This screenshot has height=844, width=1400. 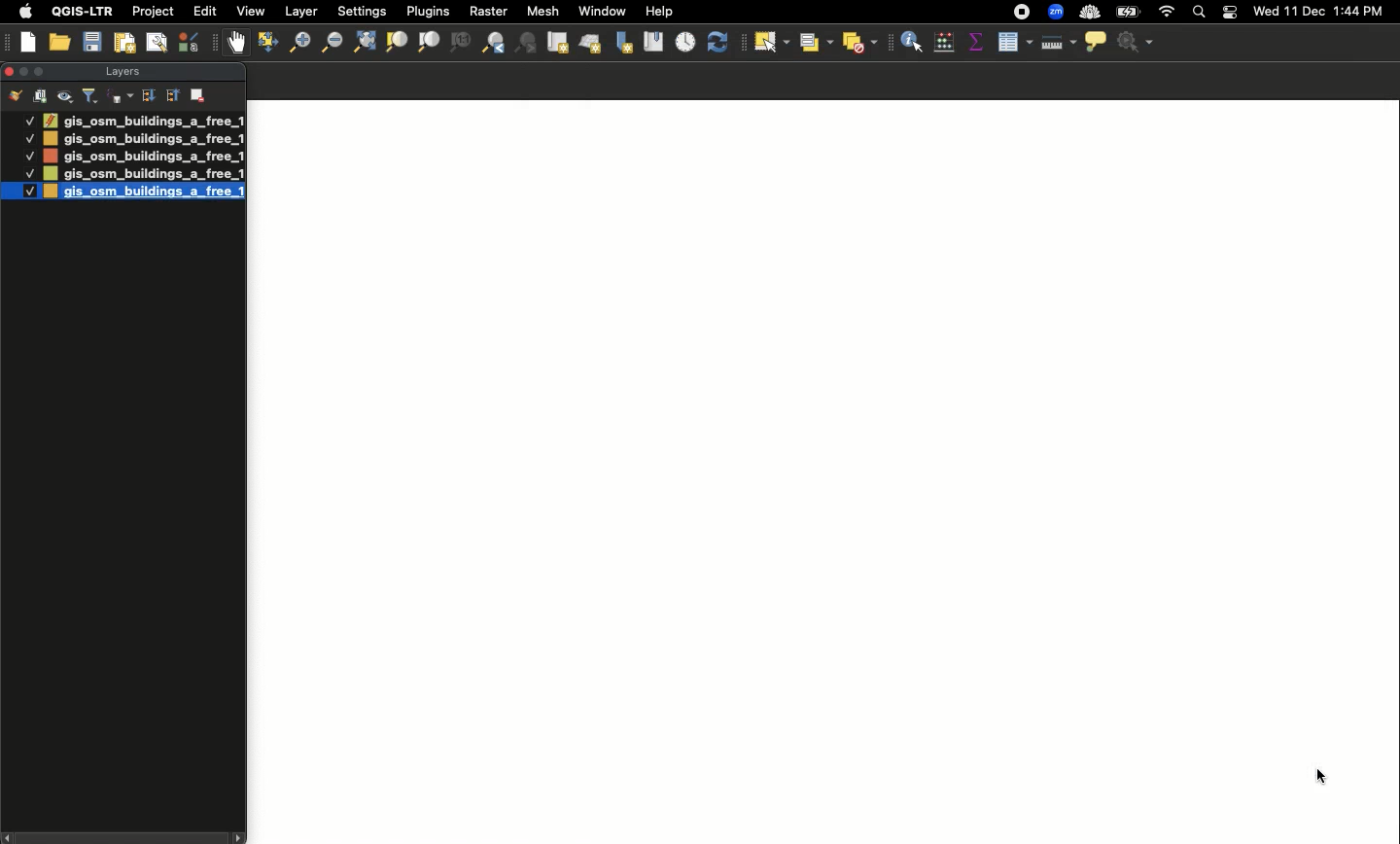 What do you see at coordinates (590, 46) in the screenshot?
I see `New 3D map view` at bounding box center [590, 46].